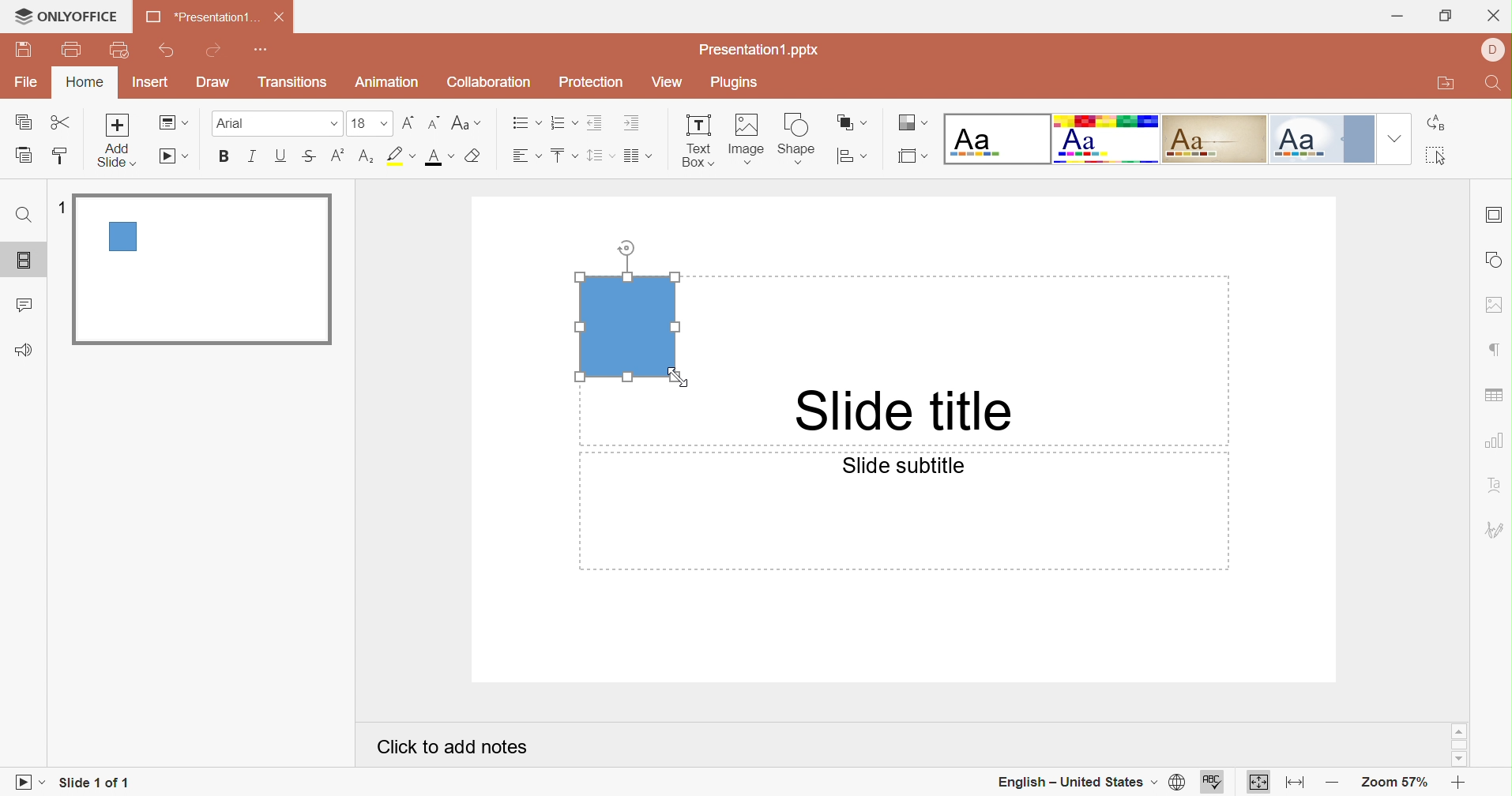 The image size is (1512, 796). Describe the element at coordinates (698, 141) in the screenshot. I see `Text box` at that location.